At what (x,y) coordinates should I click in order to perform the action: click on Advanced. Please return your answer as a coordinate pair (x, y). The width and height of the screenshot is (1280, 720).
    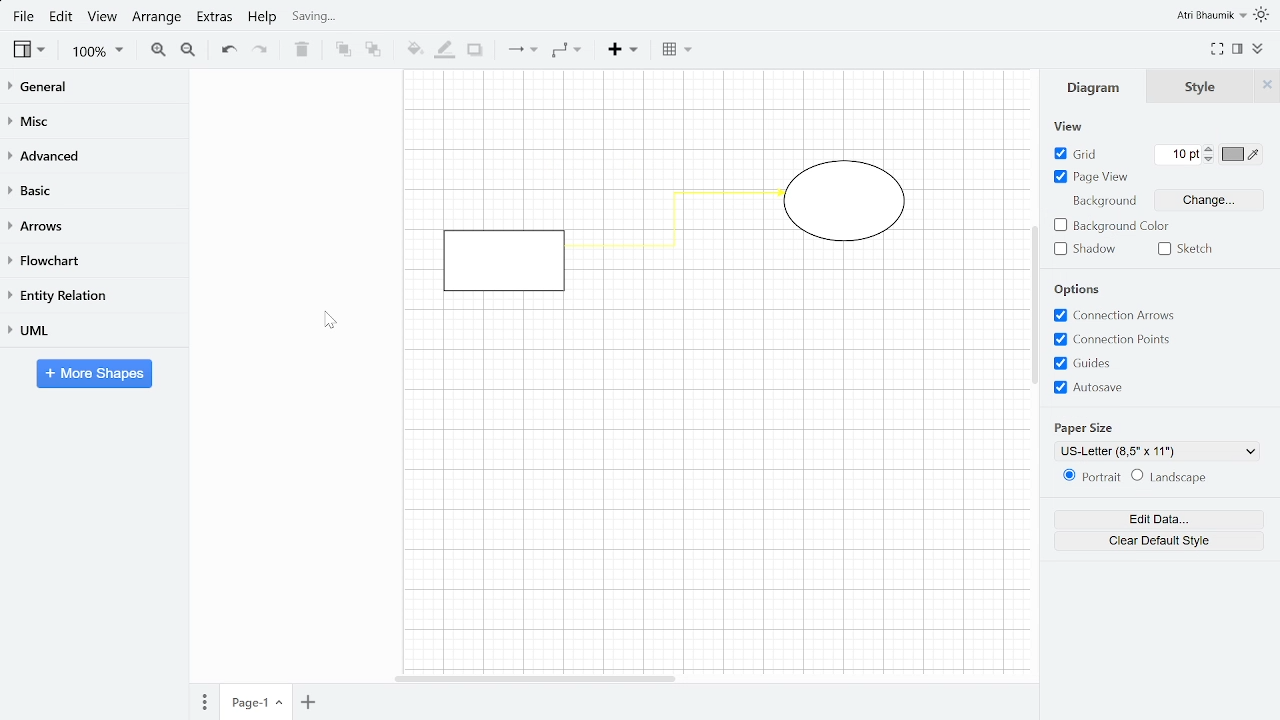
    Looking at the image, I should click on (94, 156).